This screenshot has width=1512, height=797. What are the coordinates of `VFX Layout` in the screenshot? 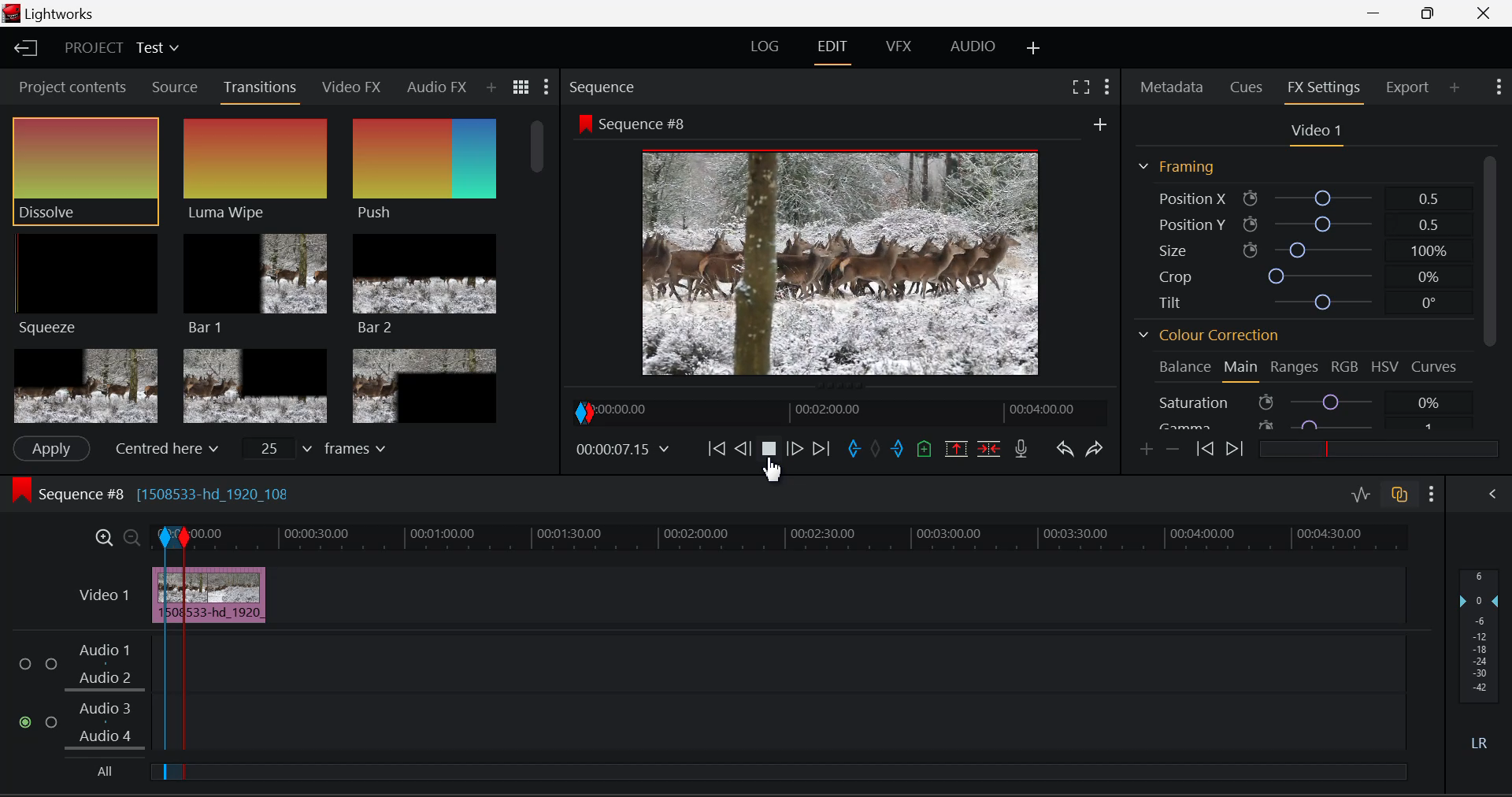 It's located at (902, 48).